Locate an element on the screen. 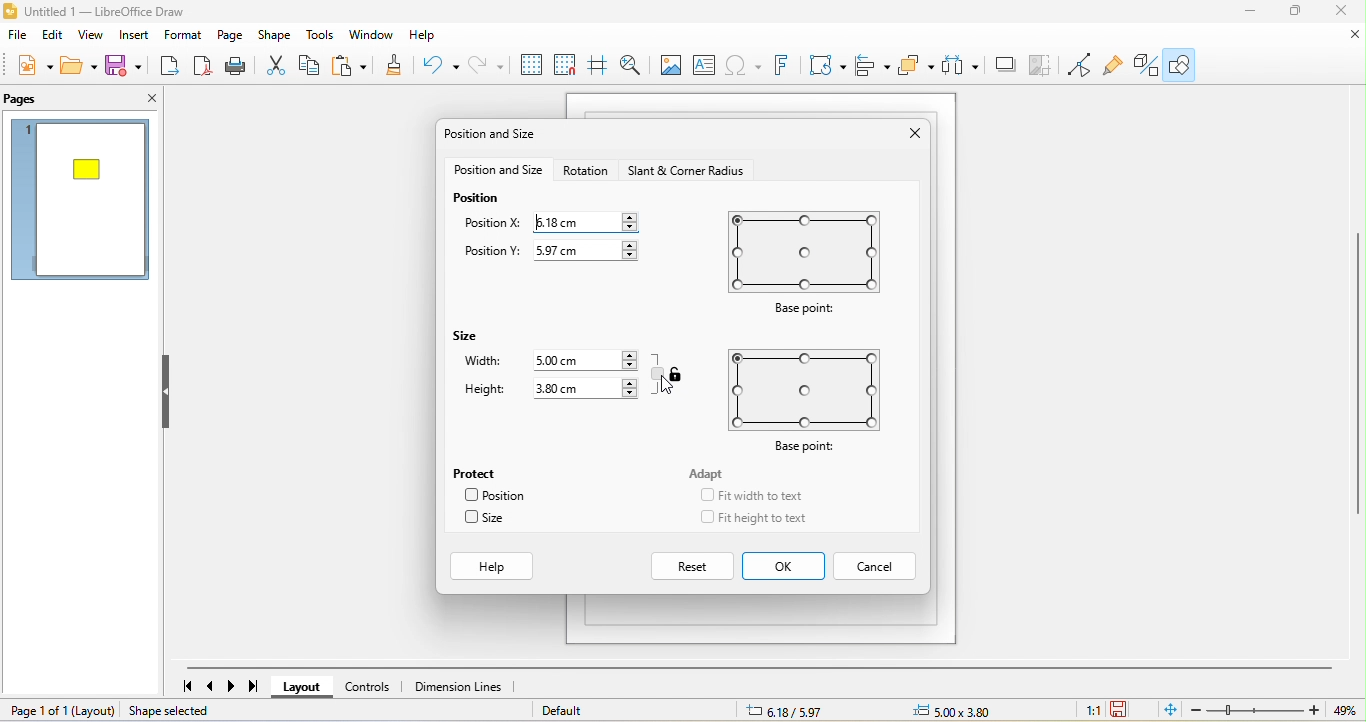  redo is located at coordinates (487, 65).